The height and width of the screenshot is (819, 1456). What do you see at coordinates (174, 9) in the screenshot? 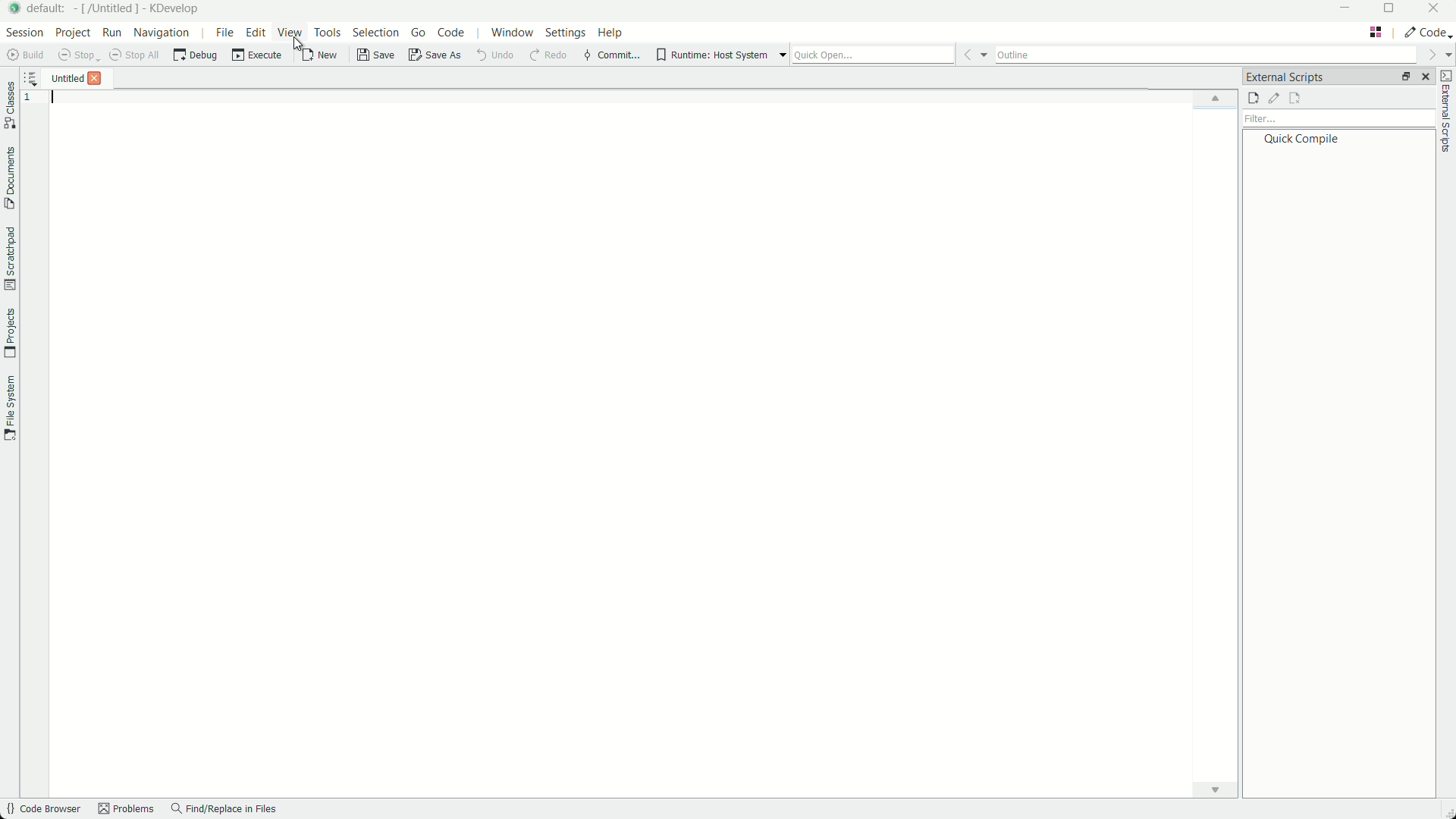
I see `kdevelop` at bounding box center [174, 9].